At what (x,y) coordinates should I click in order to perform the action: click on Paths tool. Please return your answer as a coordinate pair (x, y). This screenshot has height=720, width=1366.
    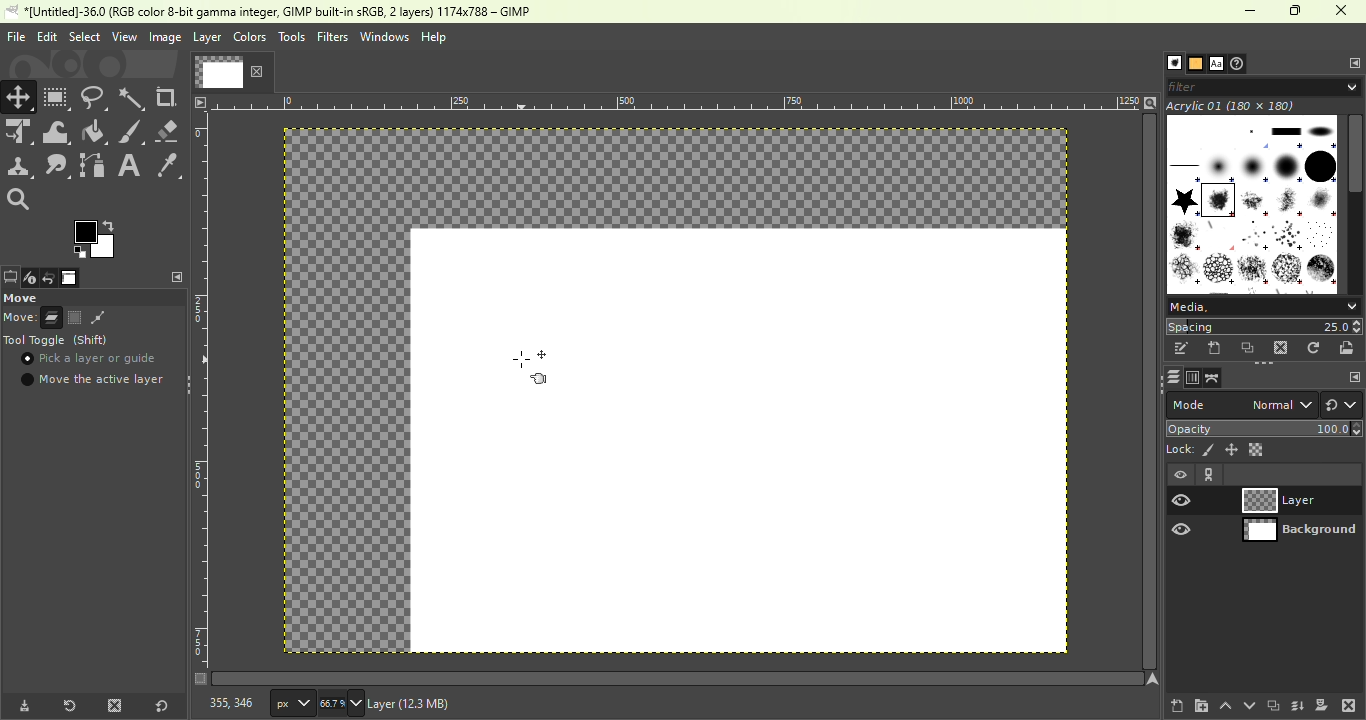
    Looking at the image, I should click on (93, 165).